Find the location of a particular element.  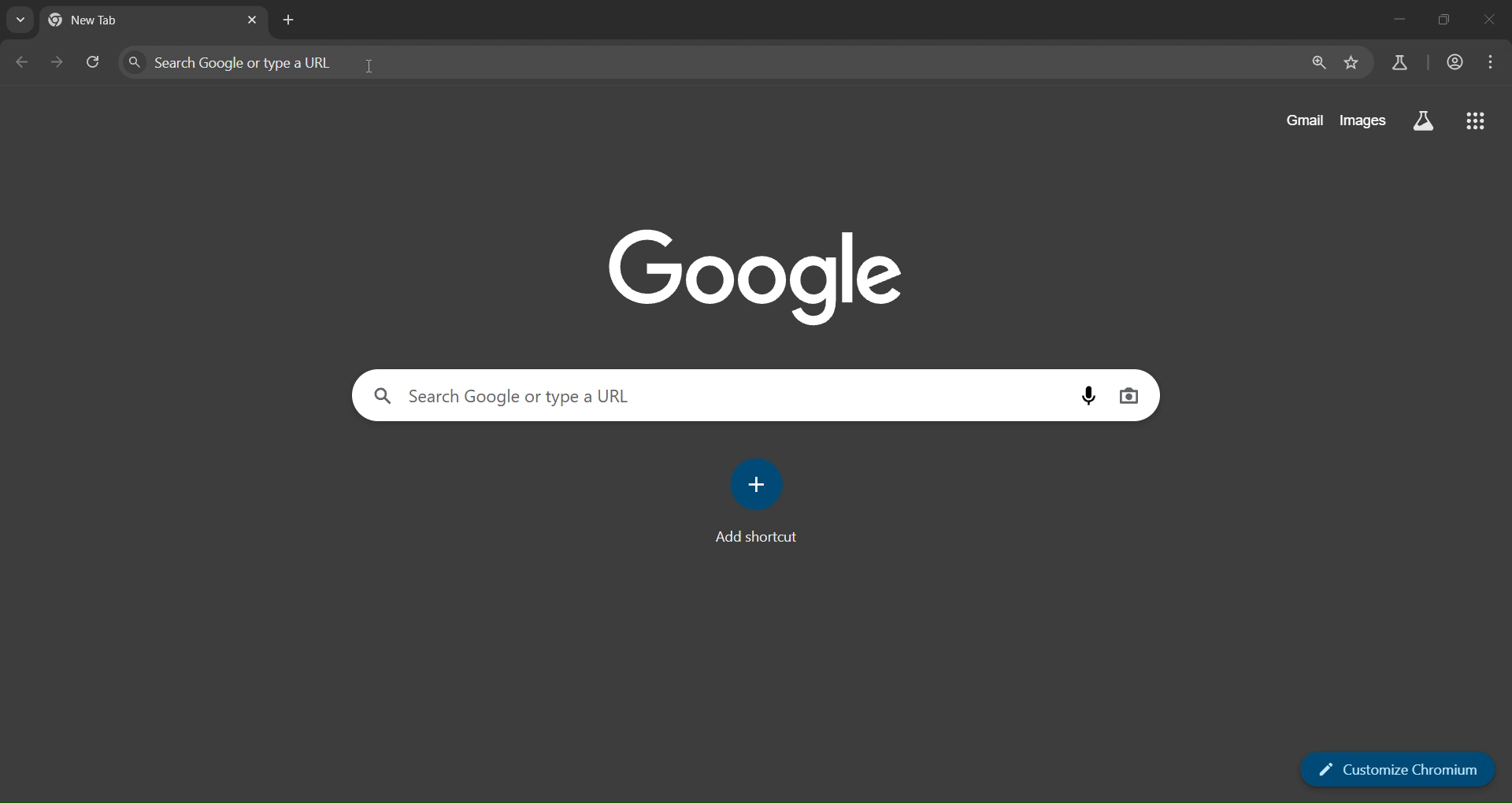

voice search is located at coordinates (1086, 394).